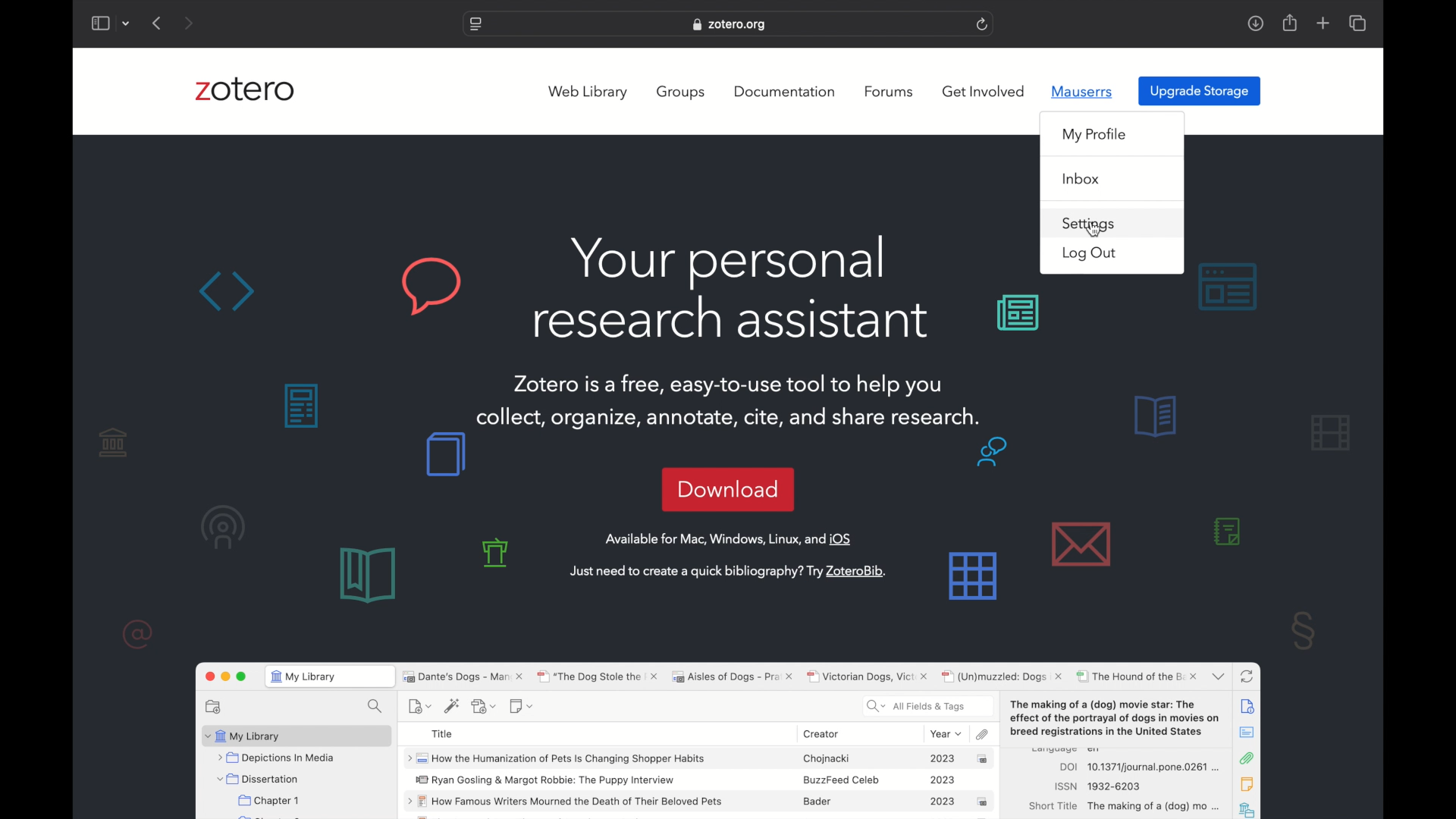 The image size is (1456, 819). I want to click on get involved, so click(984, 92).